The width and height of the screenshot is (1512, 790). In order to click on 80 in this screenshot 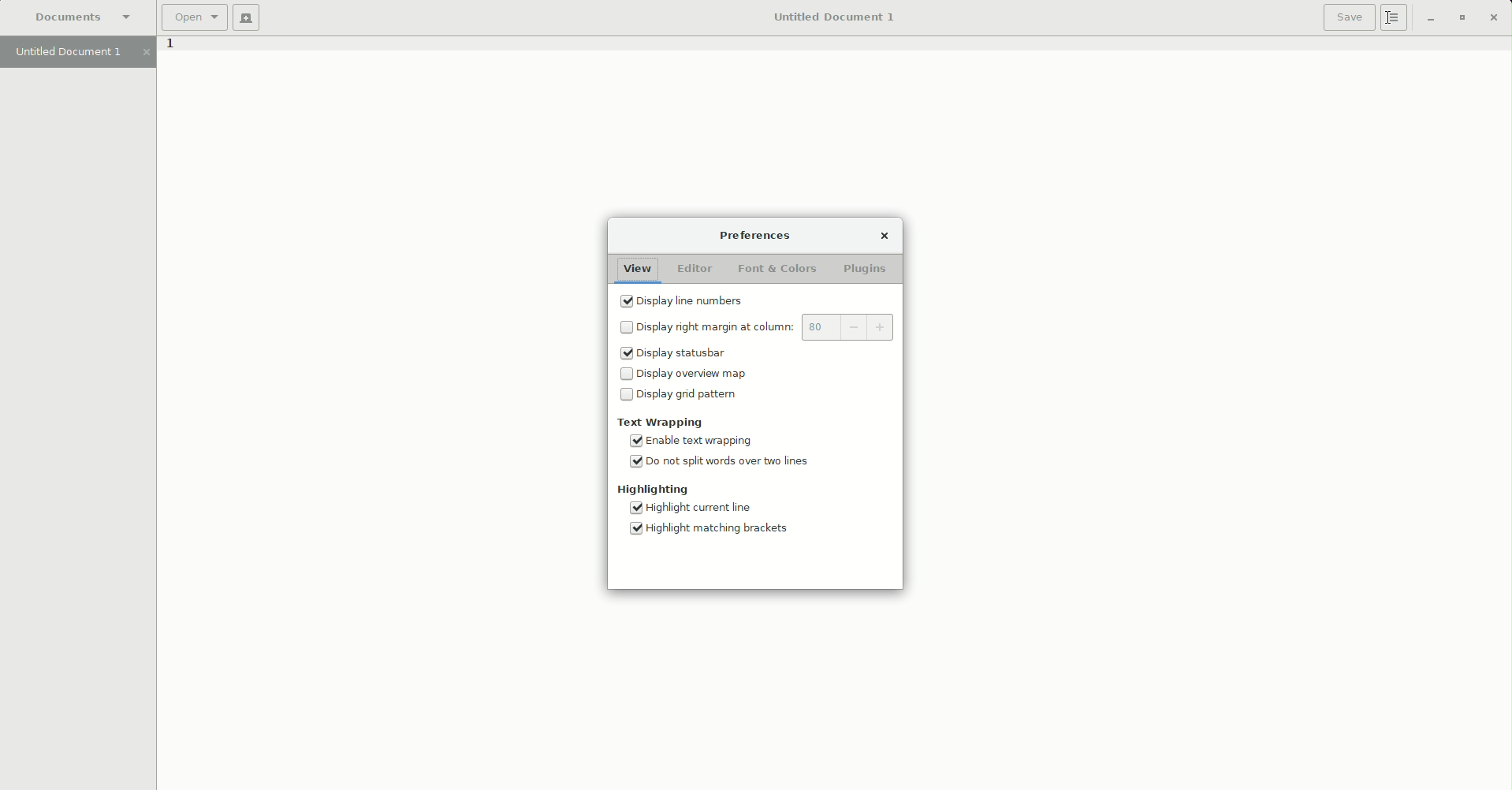, I will do `click(821, 327)`.